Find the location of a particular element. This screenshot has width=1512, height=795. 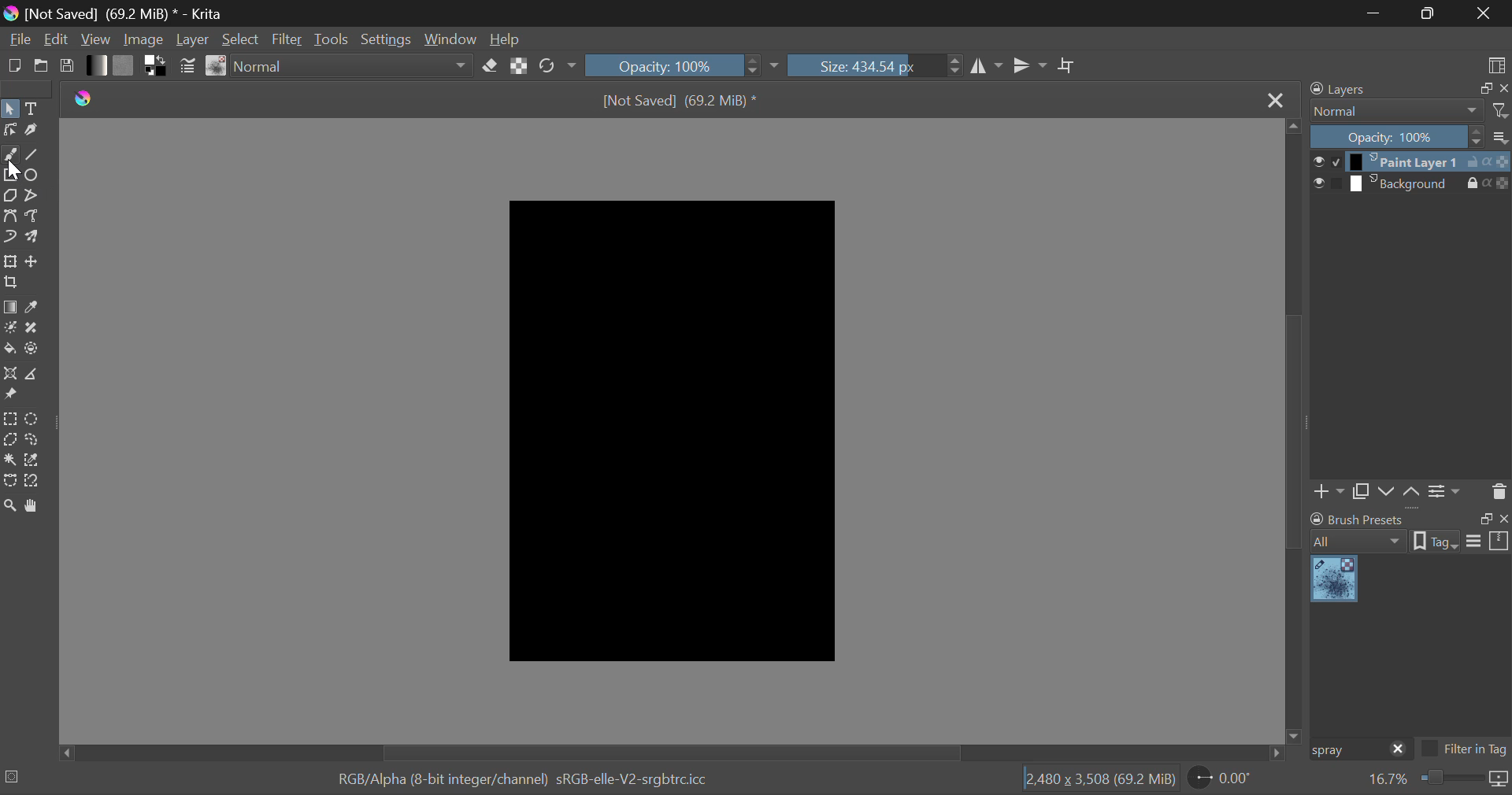

actions is located at coordinates (1488, 183).